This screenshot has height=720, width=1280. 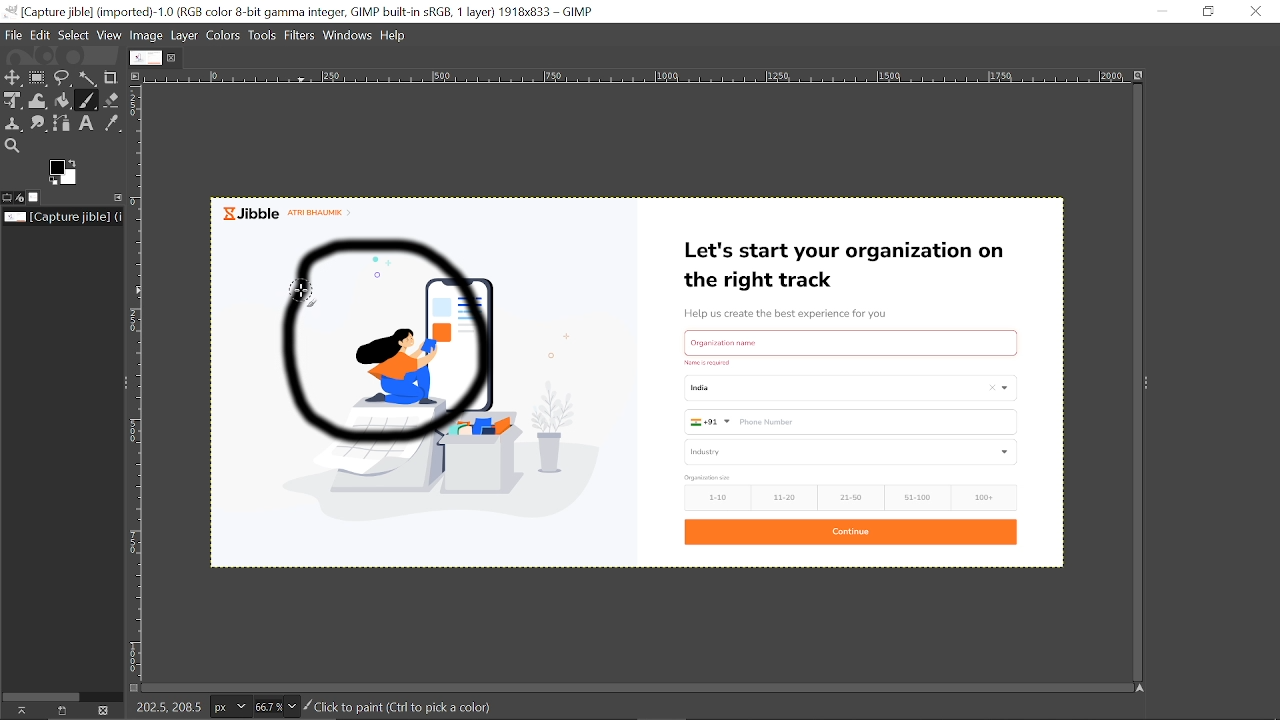 What do you see at coordinates (185, 37) in the screenshot?
I see `Layer` at bounding box center [185, 37].